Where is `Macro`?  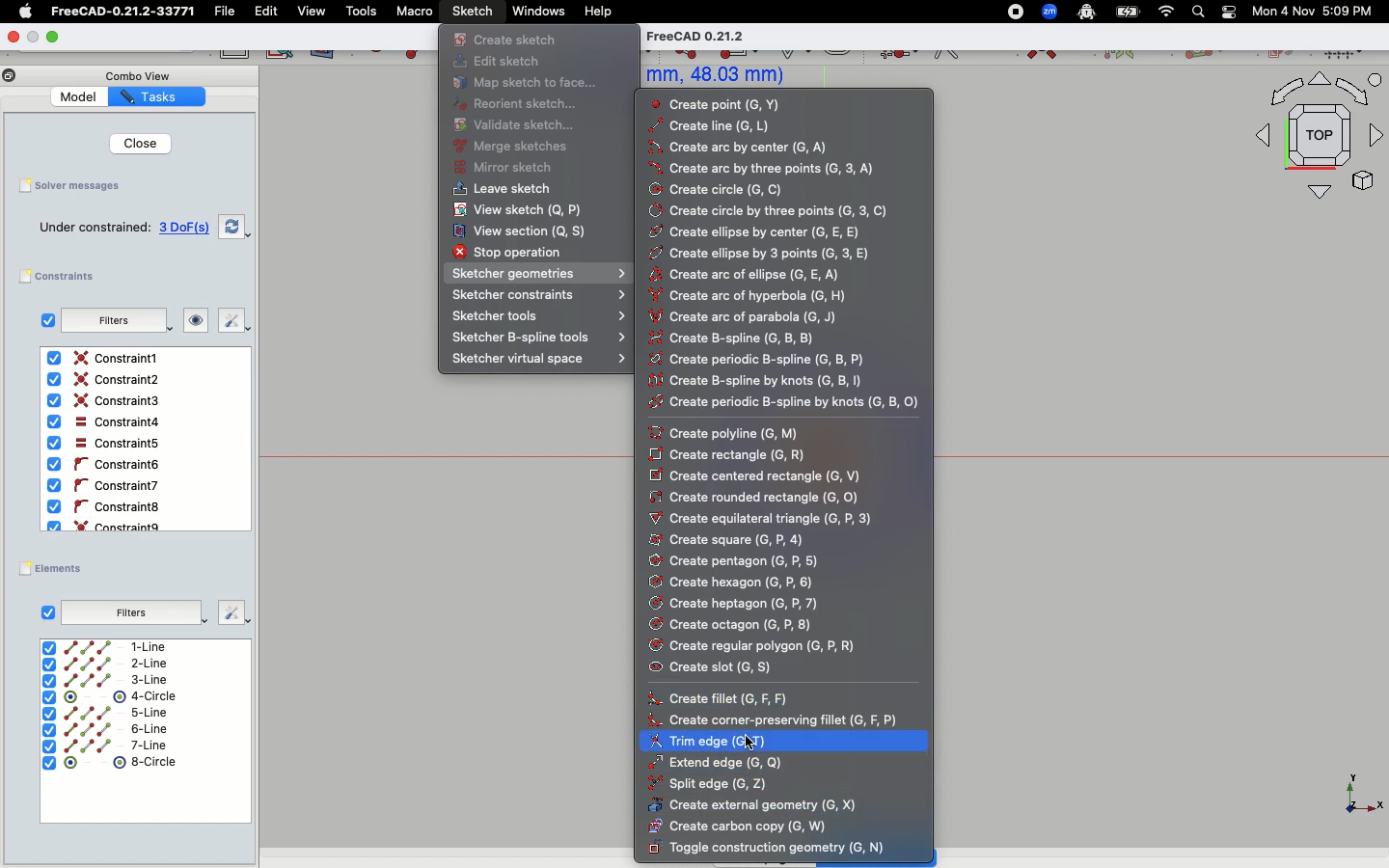 Macro is located at coordinates (413, 12).